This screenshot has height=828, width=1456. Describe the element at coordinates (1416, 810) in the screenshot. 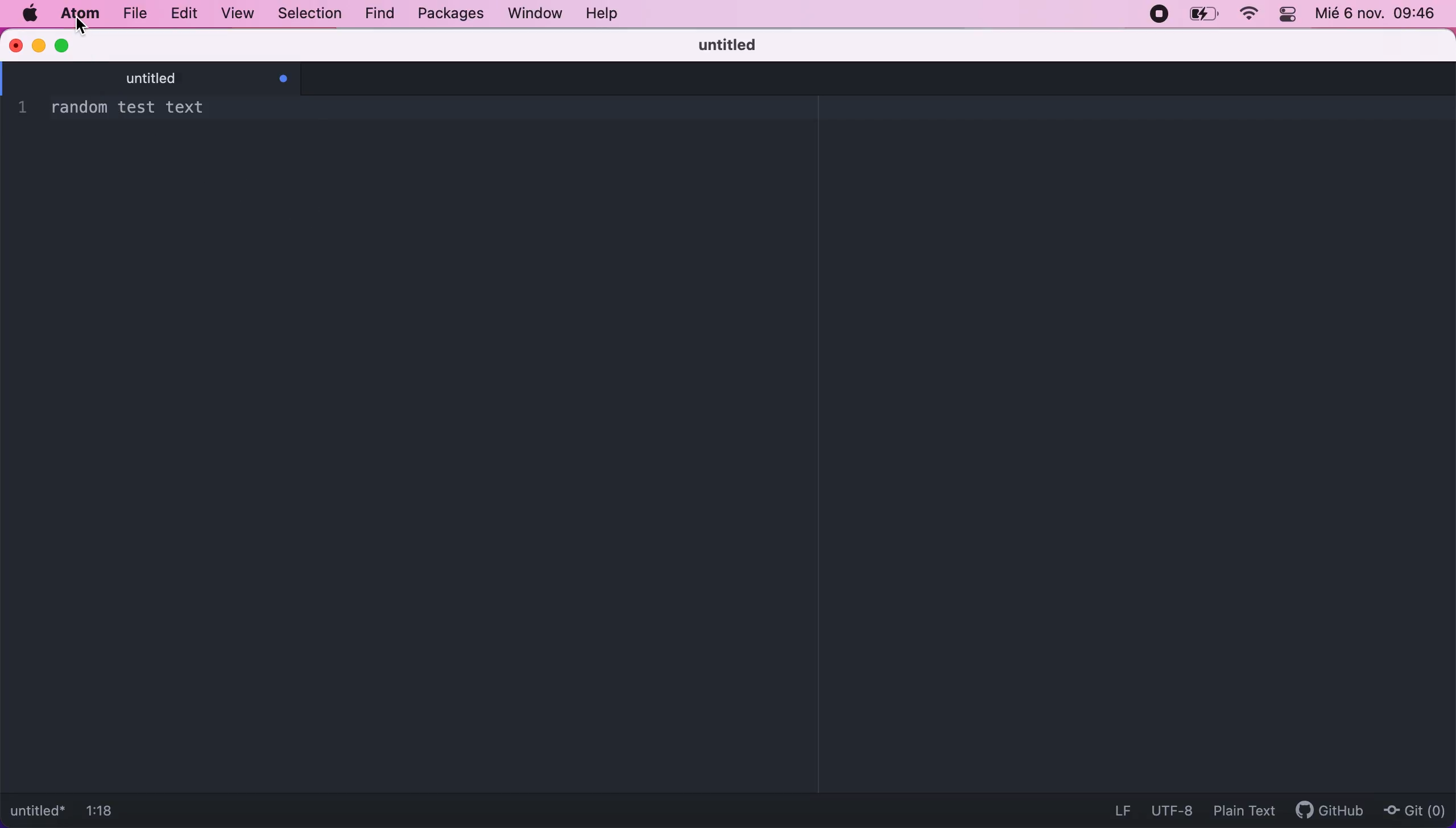

I see `Git(0)` at that location.